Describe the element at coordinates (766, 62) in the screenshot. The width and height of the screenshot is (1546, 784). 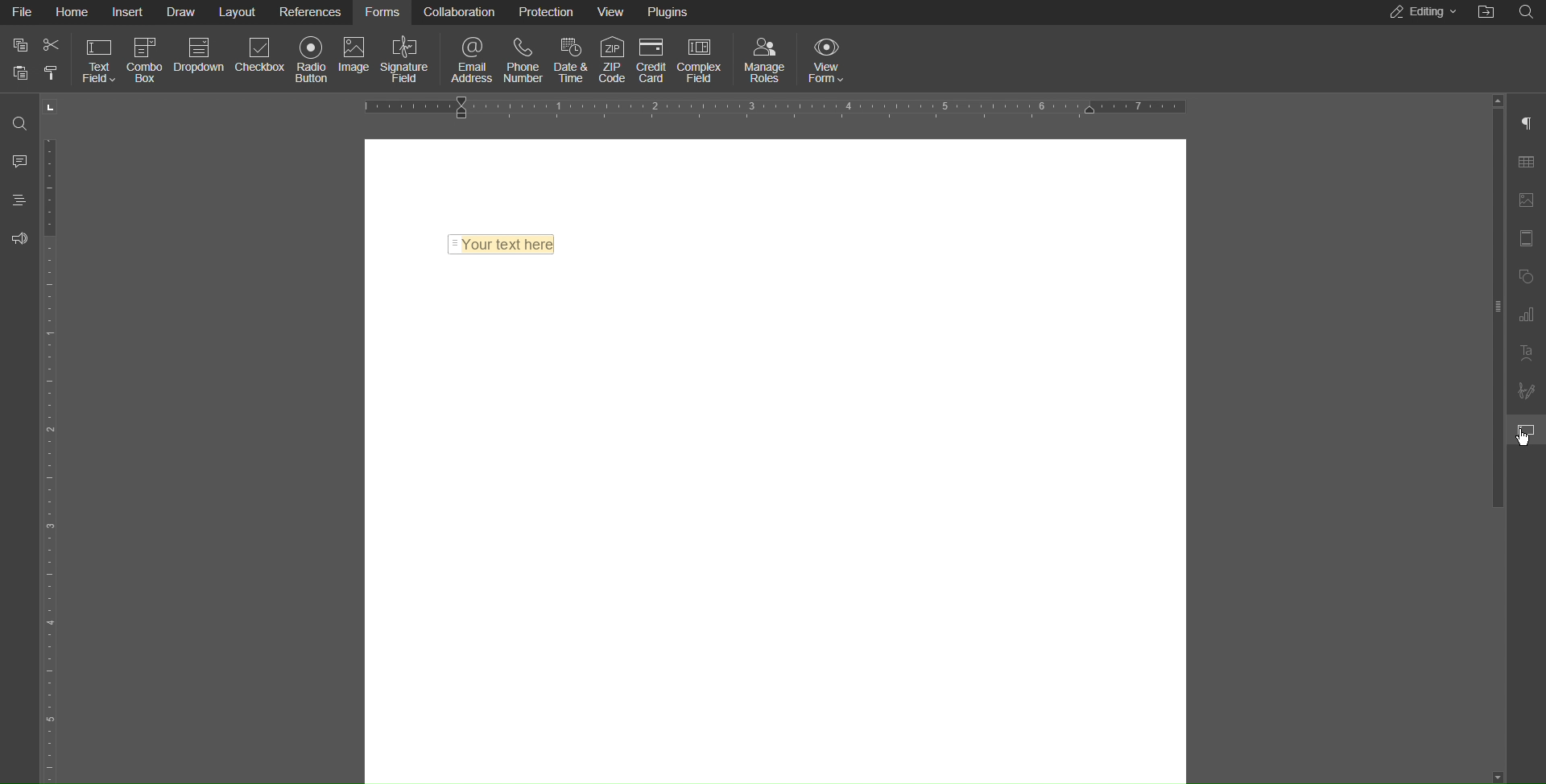
I see `Manage Rules` at that location.